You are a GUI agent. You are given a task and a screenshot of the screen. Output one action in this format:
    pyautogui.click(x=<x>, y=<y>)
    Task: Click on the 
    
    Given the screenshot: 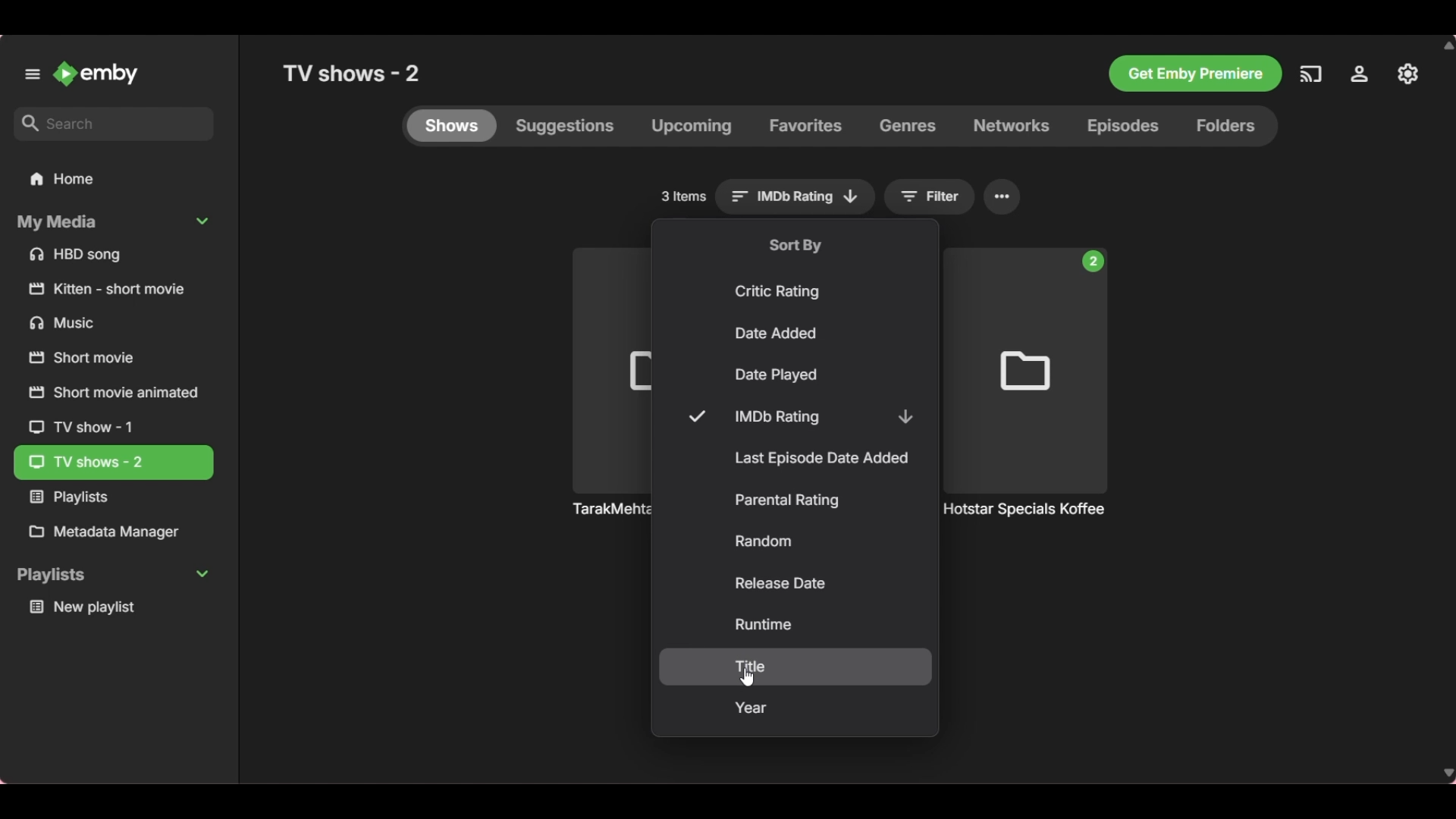 What is the action you would take?
    pyautogui.click(x=93, y=362)
    